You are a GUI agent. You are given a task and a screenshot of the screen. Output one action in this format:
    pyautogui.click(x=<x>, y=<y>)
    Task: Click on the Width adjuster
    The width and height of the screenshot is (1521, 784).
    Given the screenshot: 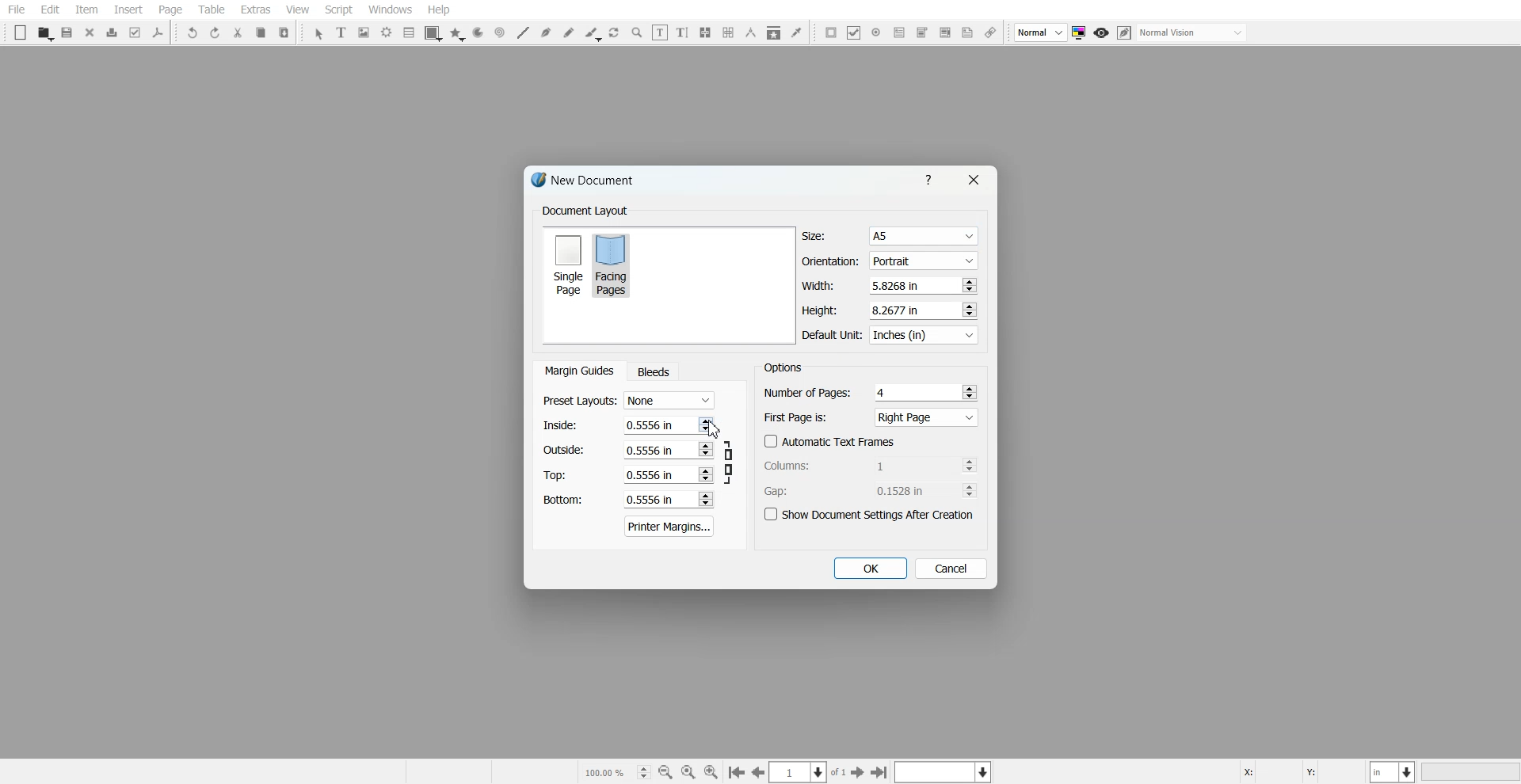 What is the action you would take?
    pyautogui.click(x=889, y=286)
    